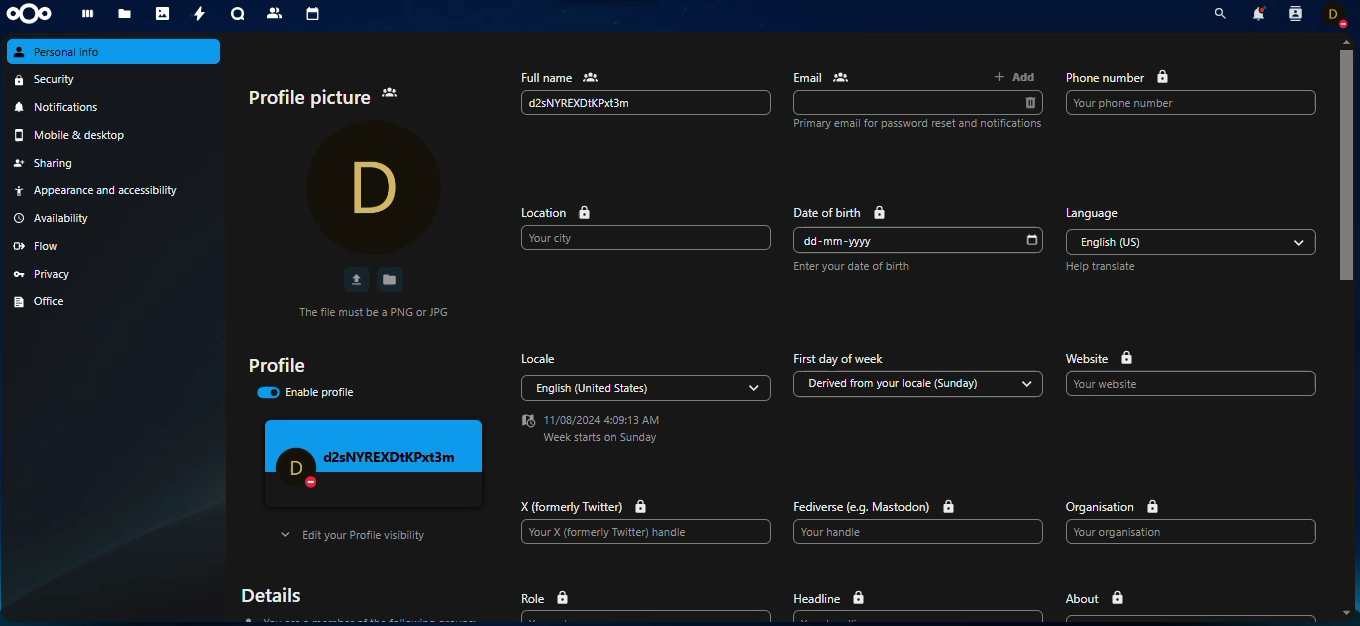 Image resolution: width=1360 pixels, height=626 pixels. What do you see at coordinates (821, 77) in the screenshot?
I see `email` at bounding box center [821, 77].